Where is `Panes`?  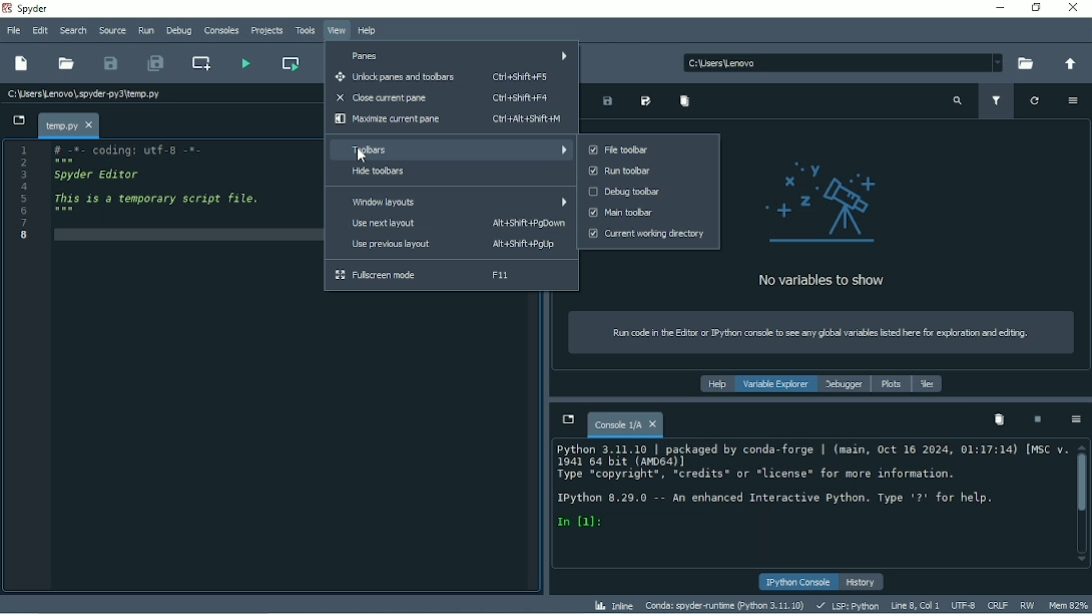
Panes is located at coordinates (450, 55).